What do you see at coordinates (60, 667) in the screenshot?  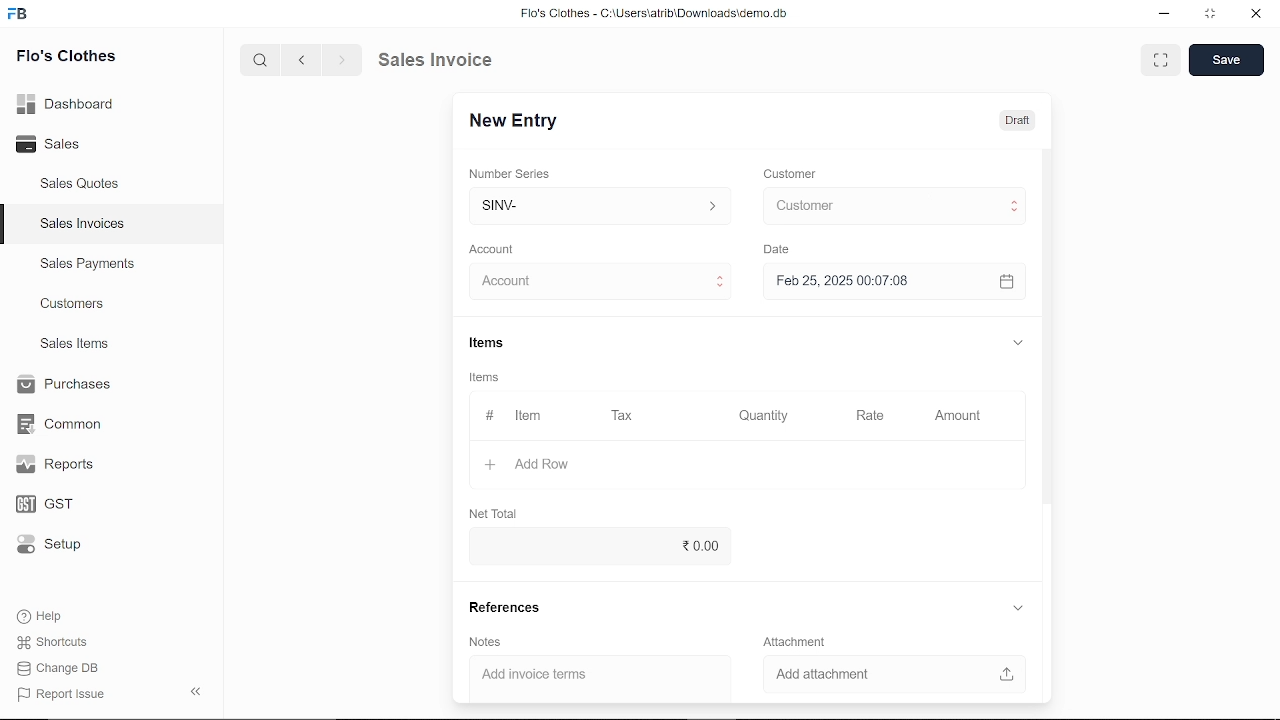 I see `Change DB` at bounding box center [60, 667].